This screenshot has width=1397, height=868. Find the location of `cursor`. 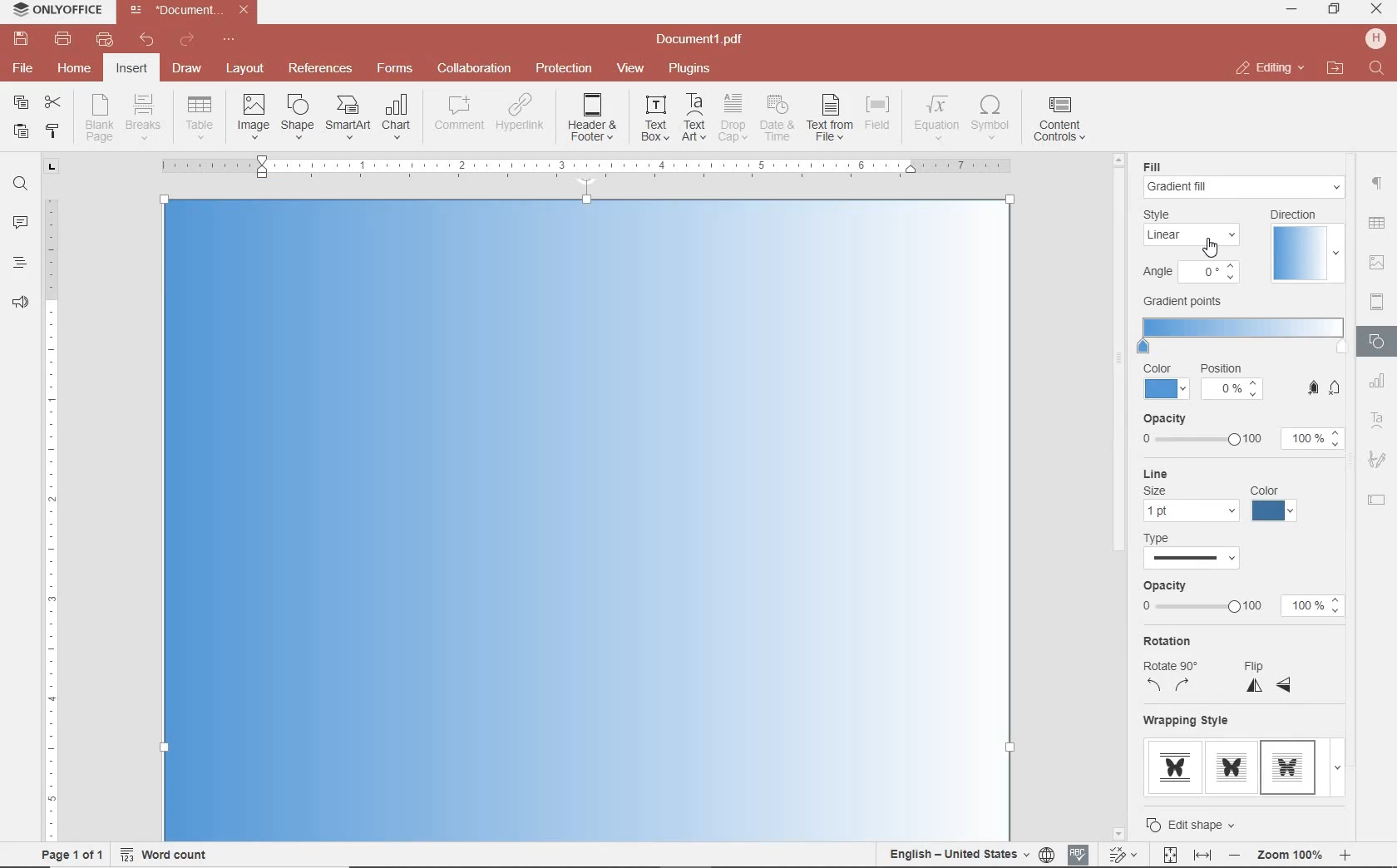

cursor is located at coordinates (1234, 690).